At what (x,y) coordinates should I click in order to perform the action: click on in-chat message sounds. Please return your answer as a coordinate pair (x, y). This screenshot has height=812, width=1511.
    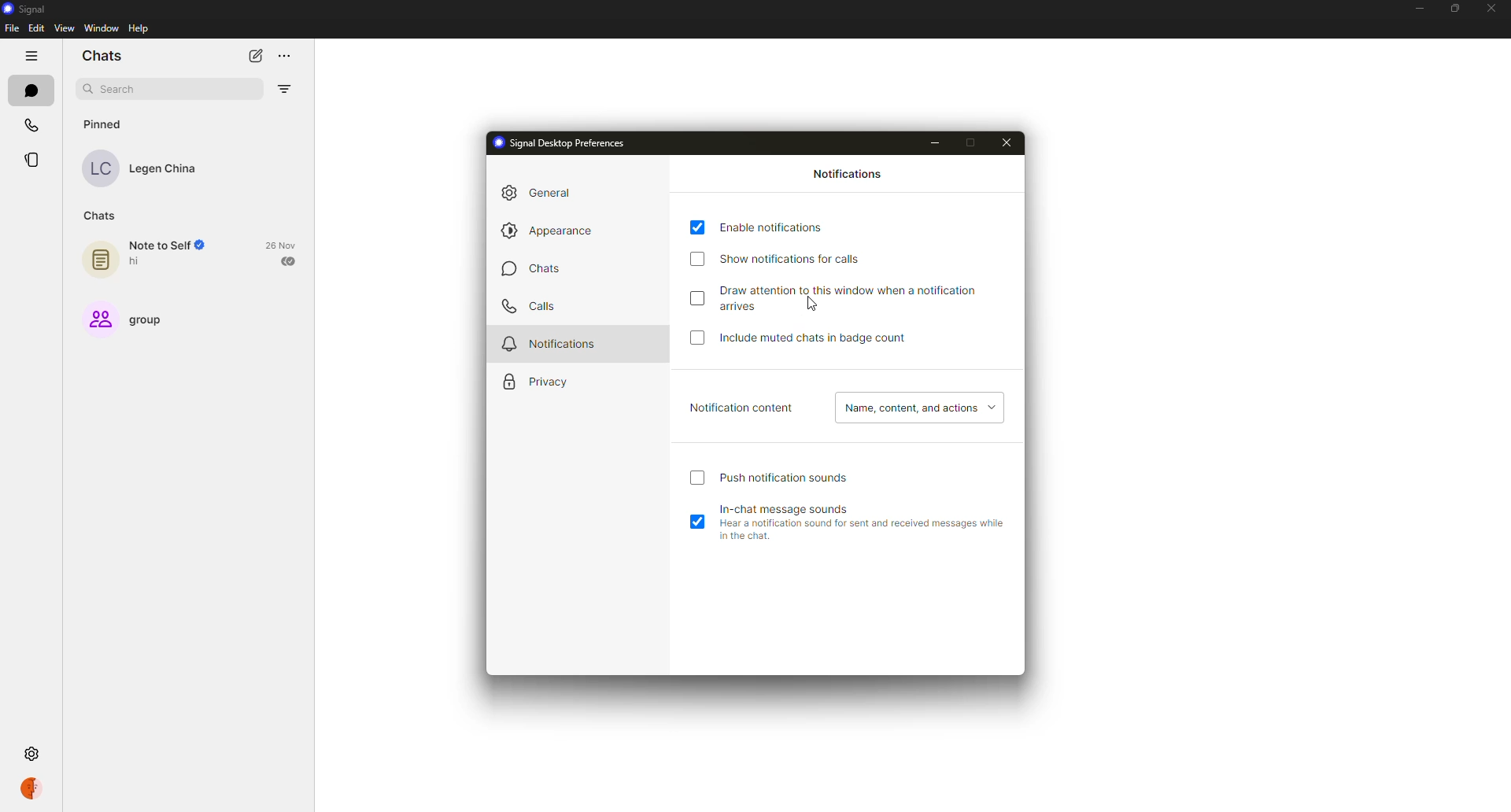
    Looking at the image, I should click on (863, 521).